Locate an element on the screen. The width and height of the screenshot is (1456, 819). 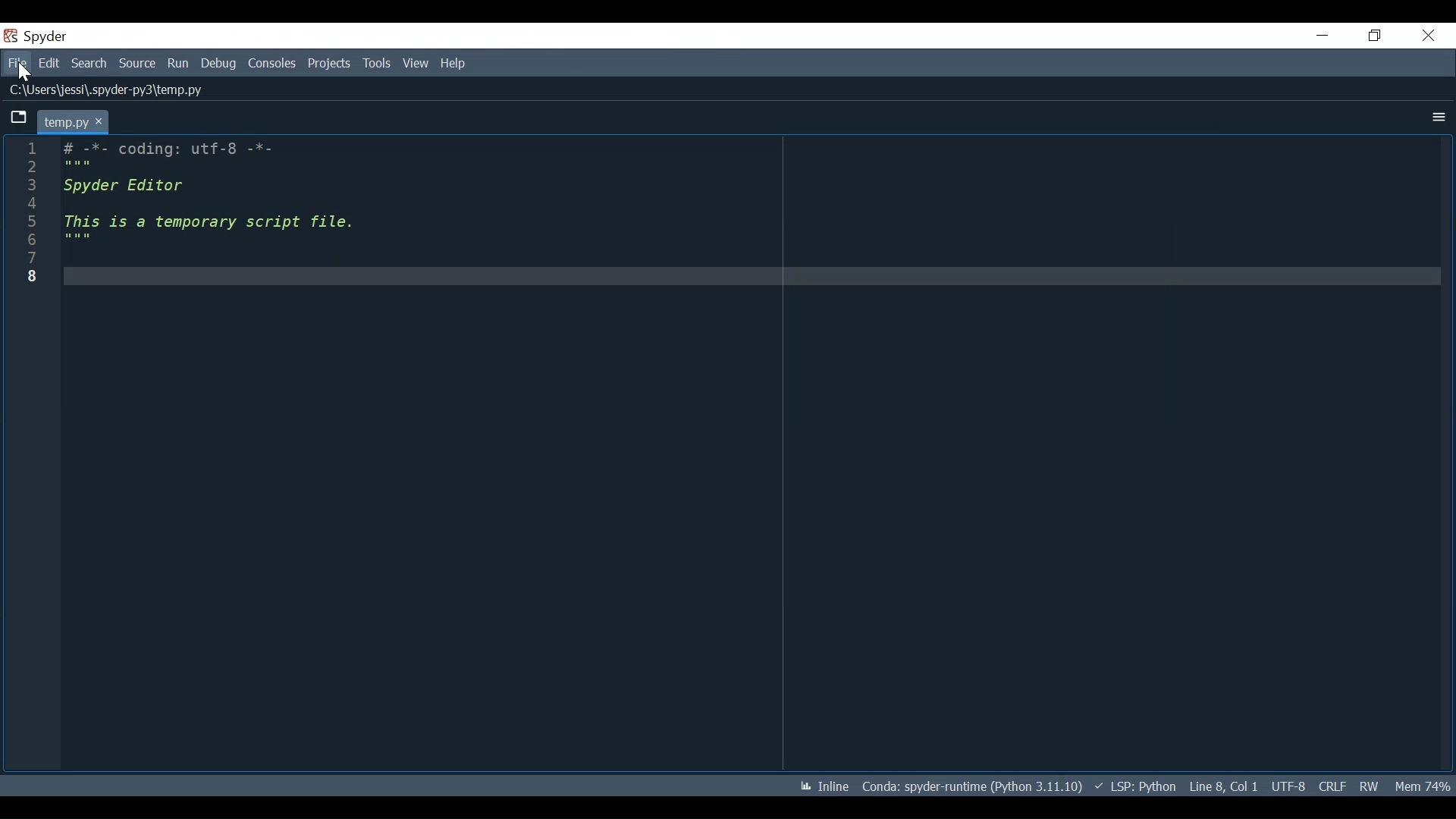
conda: Spyder-runtime (Python 3.11.10) is located at coordinates (972, 786).